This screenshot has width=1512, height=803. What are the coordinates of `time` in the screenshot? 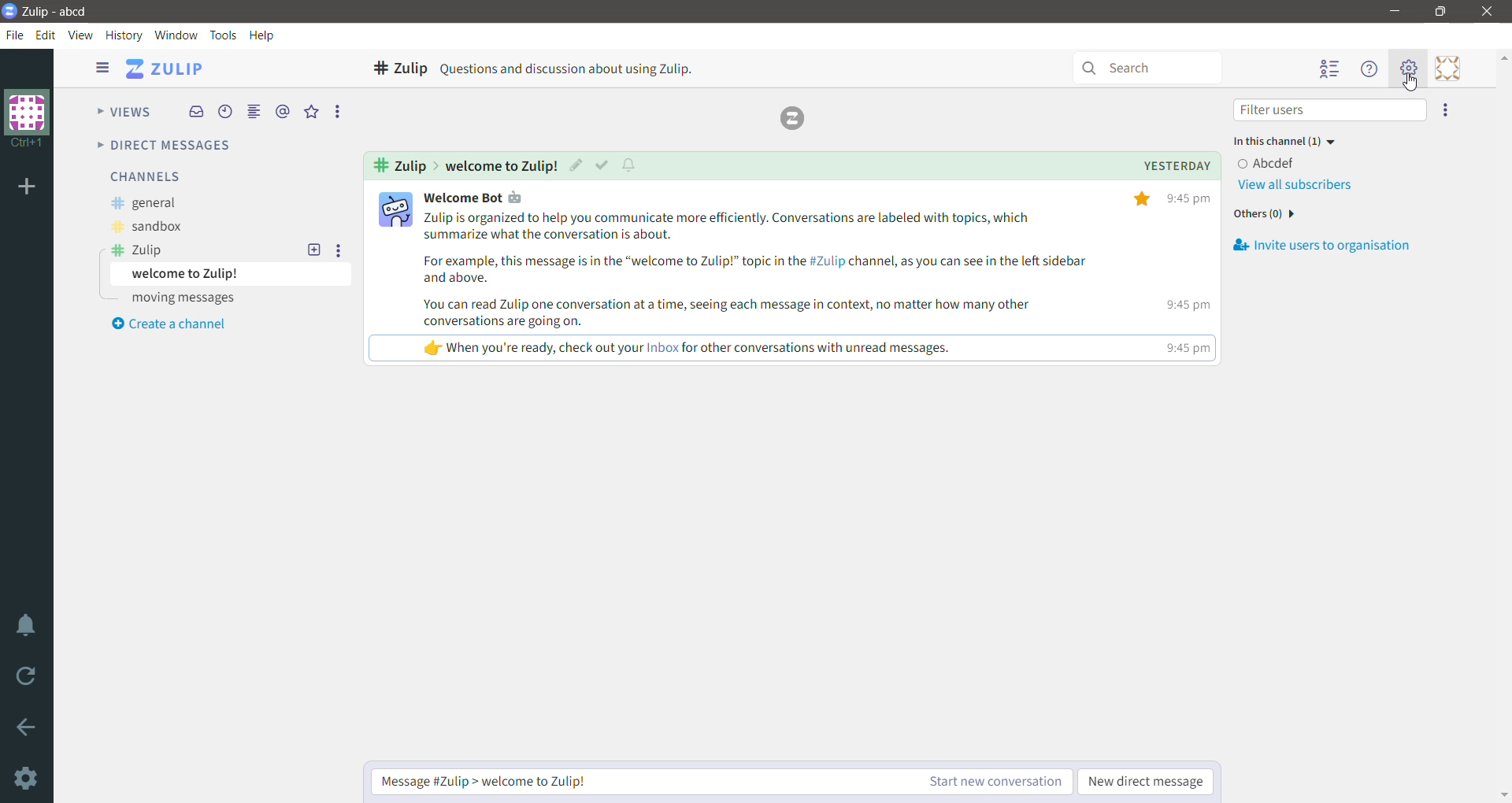 It's located at (1189, 272).